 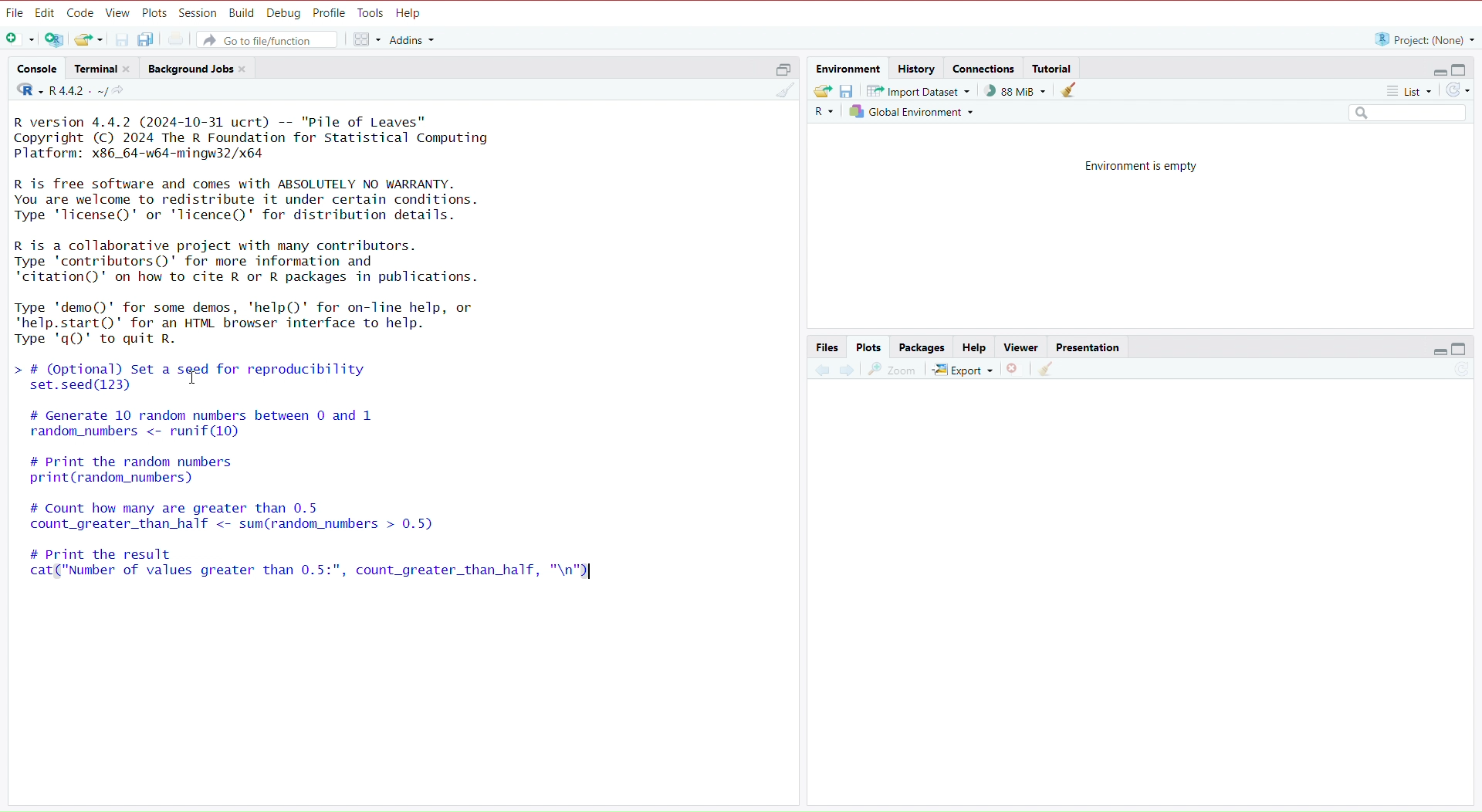 I want to click on Hide, so click(x=1439, y=349).